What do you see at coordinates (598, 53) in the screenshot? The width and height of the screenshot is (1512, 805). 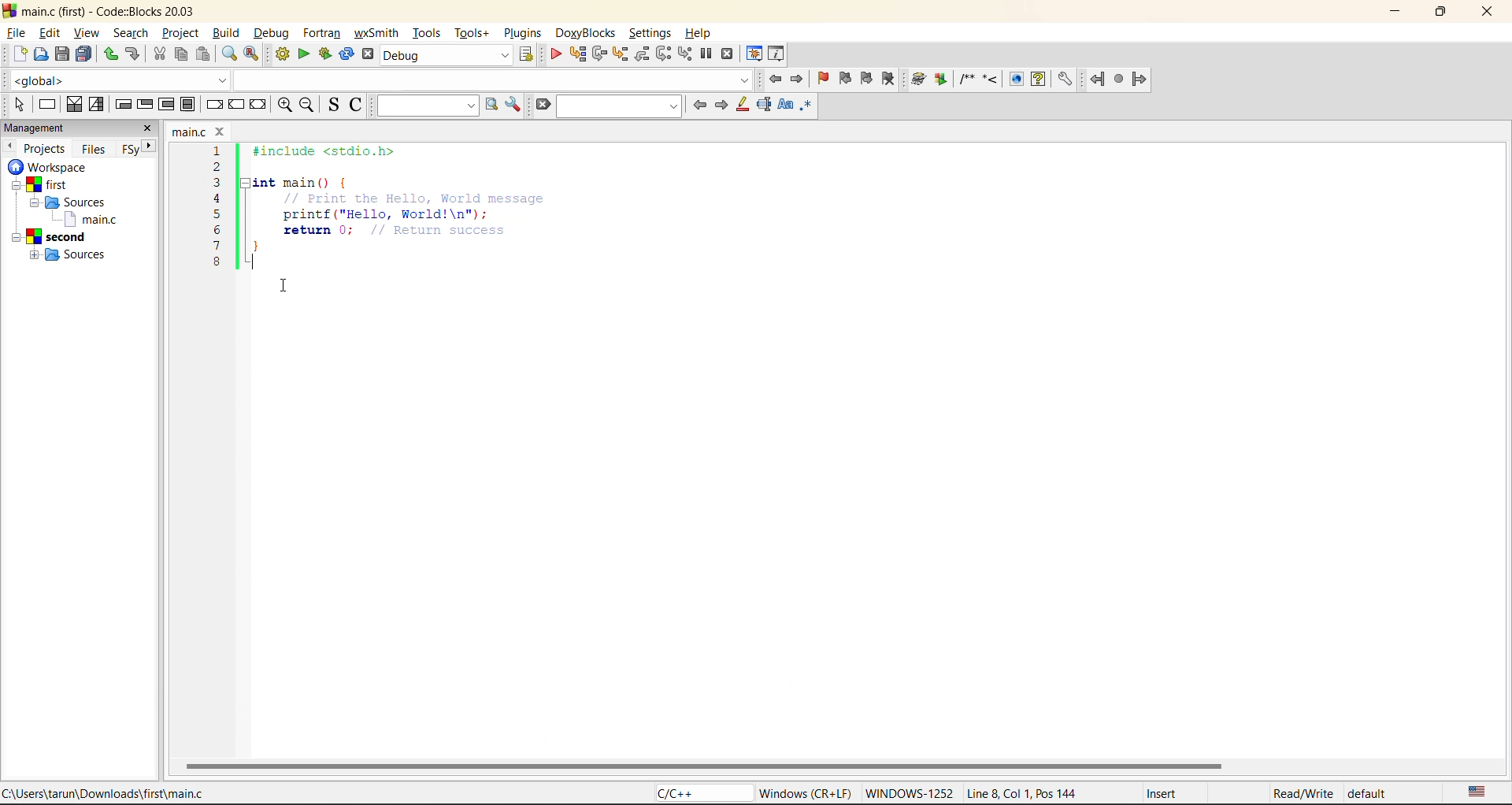 I see `next line` at bounding box center [598, 53].